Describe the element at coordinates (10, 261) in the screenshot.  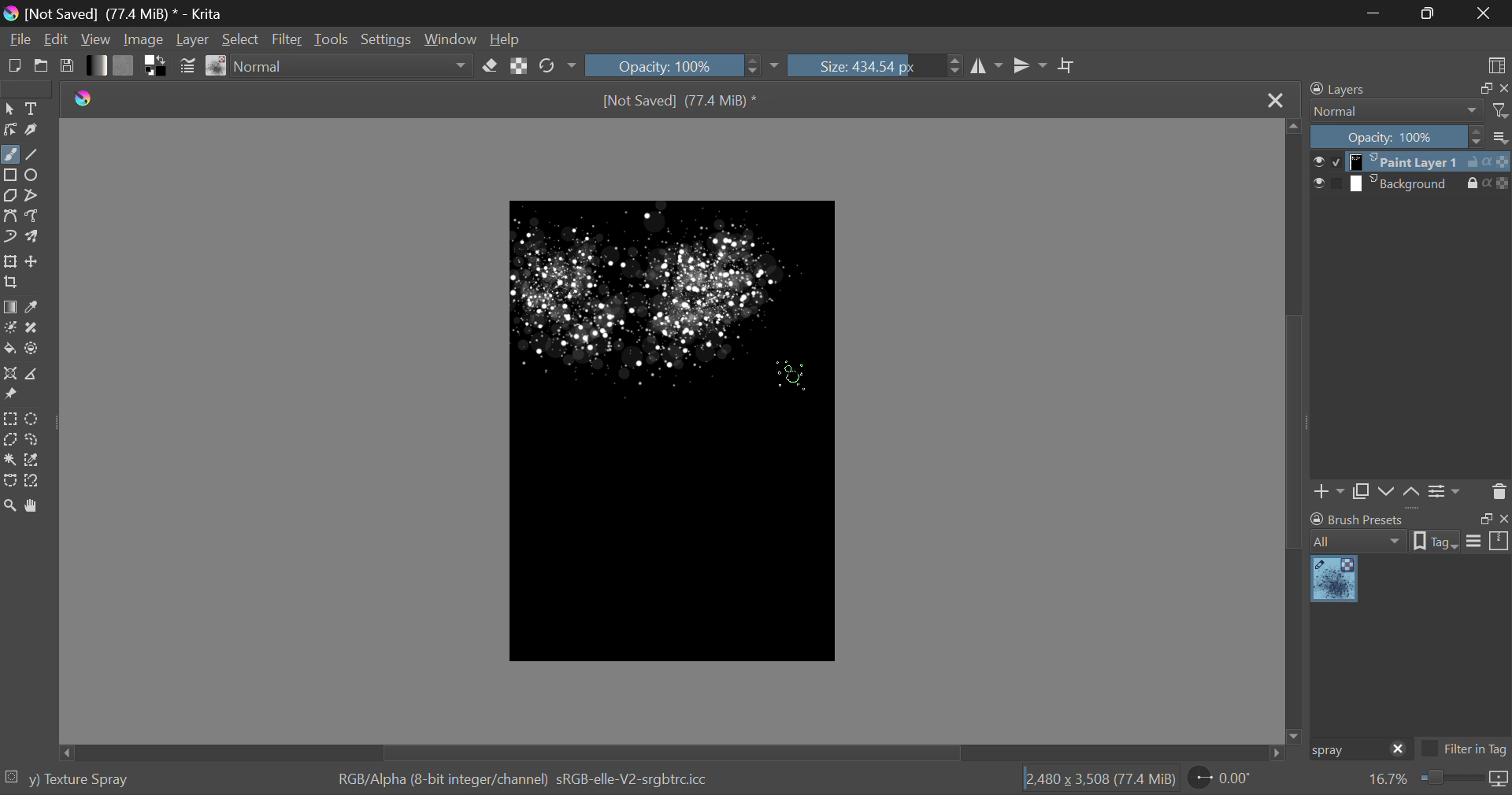
I see `Transform Layer` at that location.